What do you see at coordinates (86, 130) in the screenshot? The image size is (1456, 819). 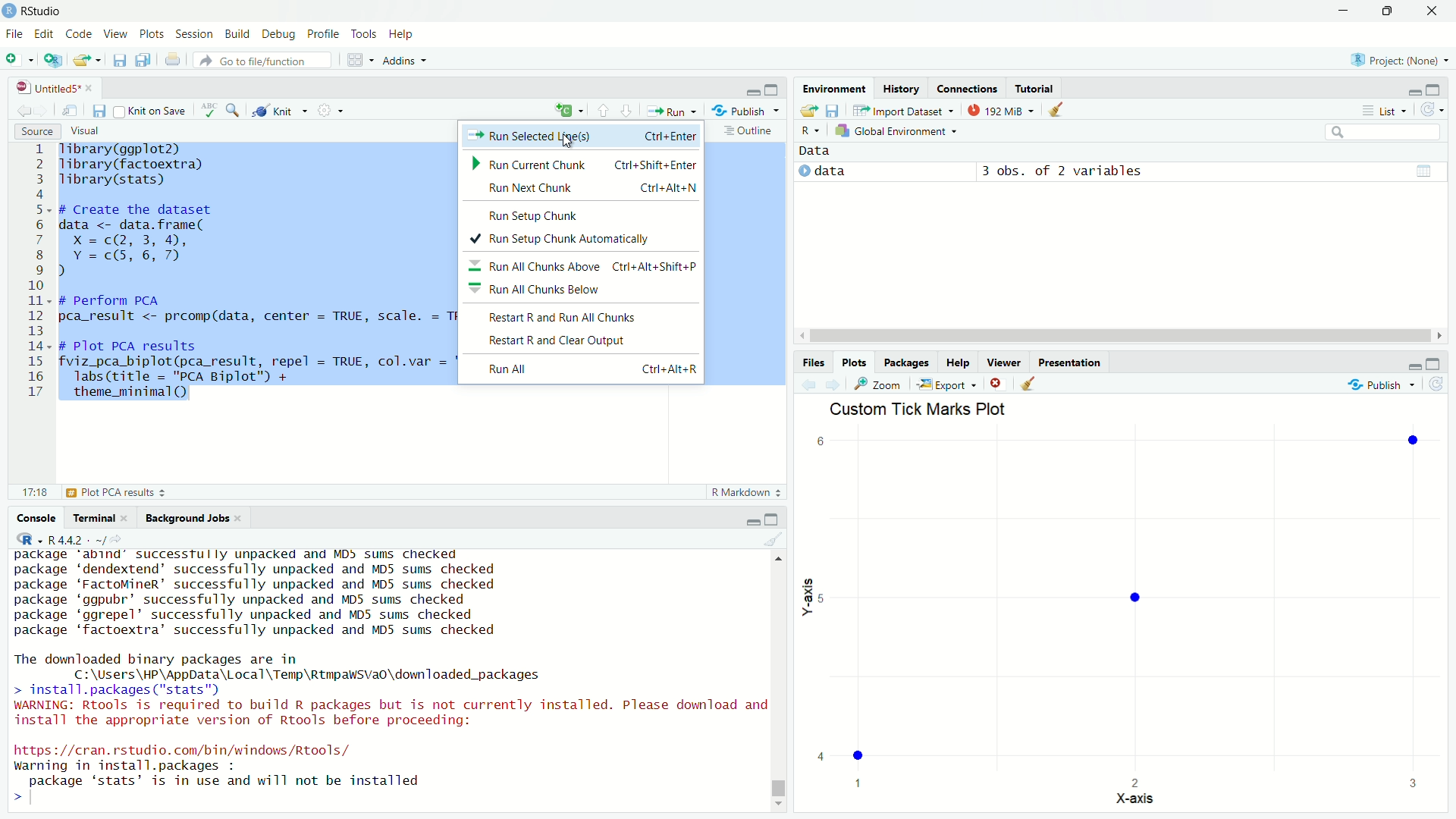 I see `visual` at bounding box center [86, 130].